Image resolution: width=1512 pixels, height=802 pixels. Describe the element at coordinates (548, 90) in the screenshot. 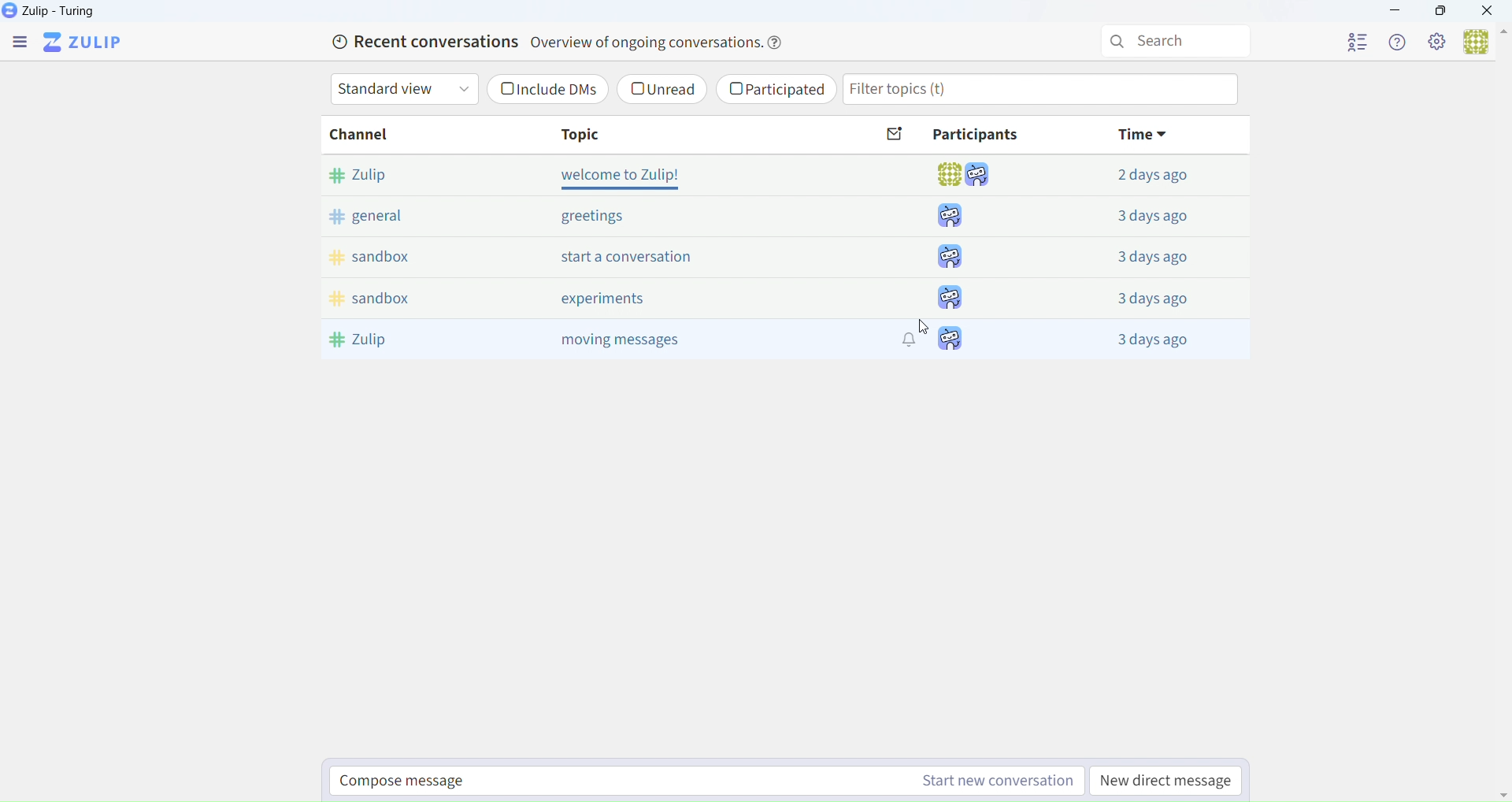

I see `Include DMs` at that location.